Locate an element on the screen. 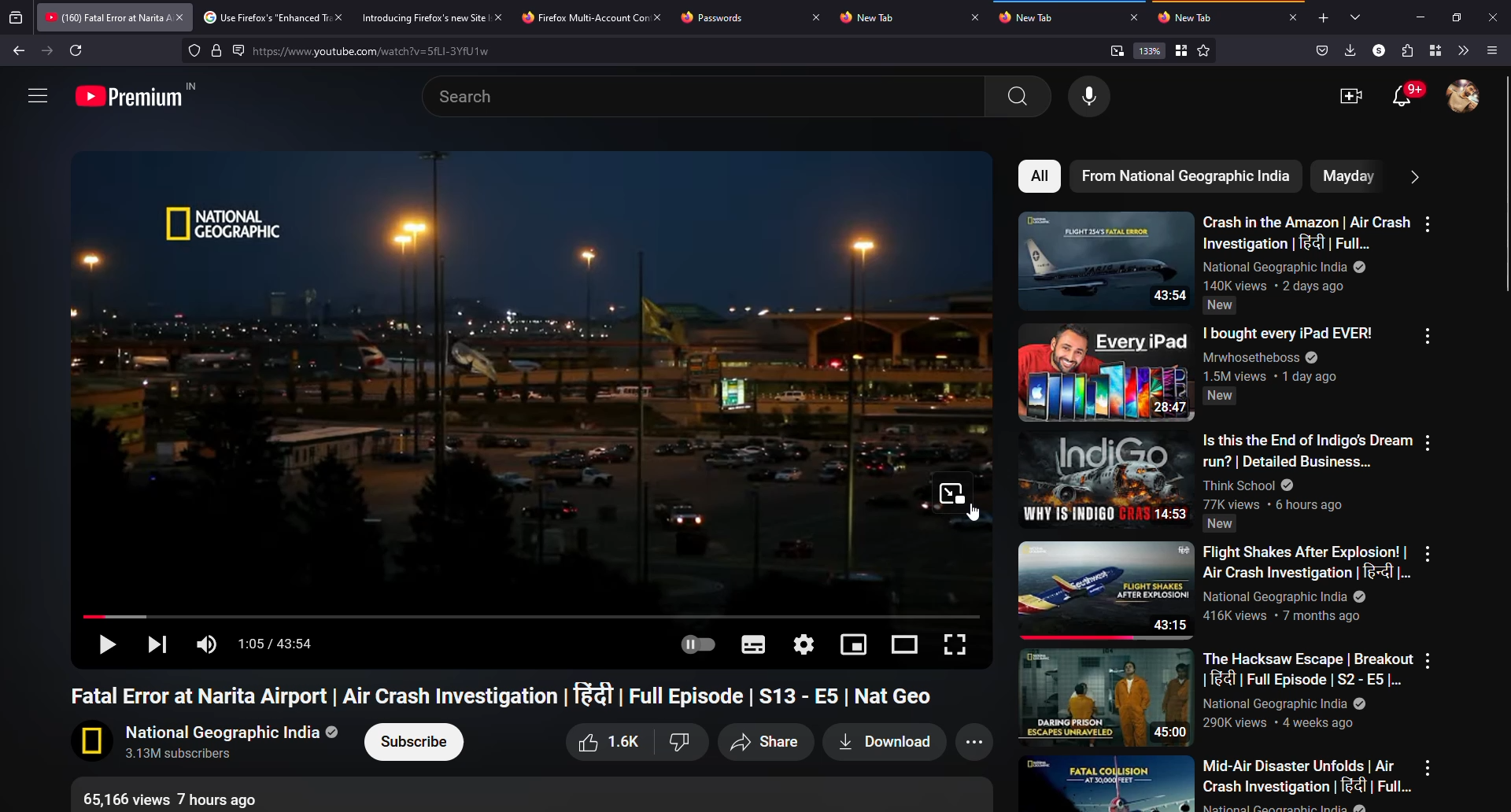 The width and height of the screenshot is (1511, 812). channel name, logo and subscribers is located at coordinates (208, 743).